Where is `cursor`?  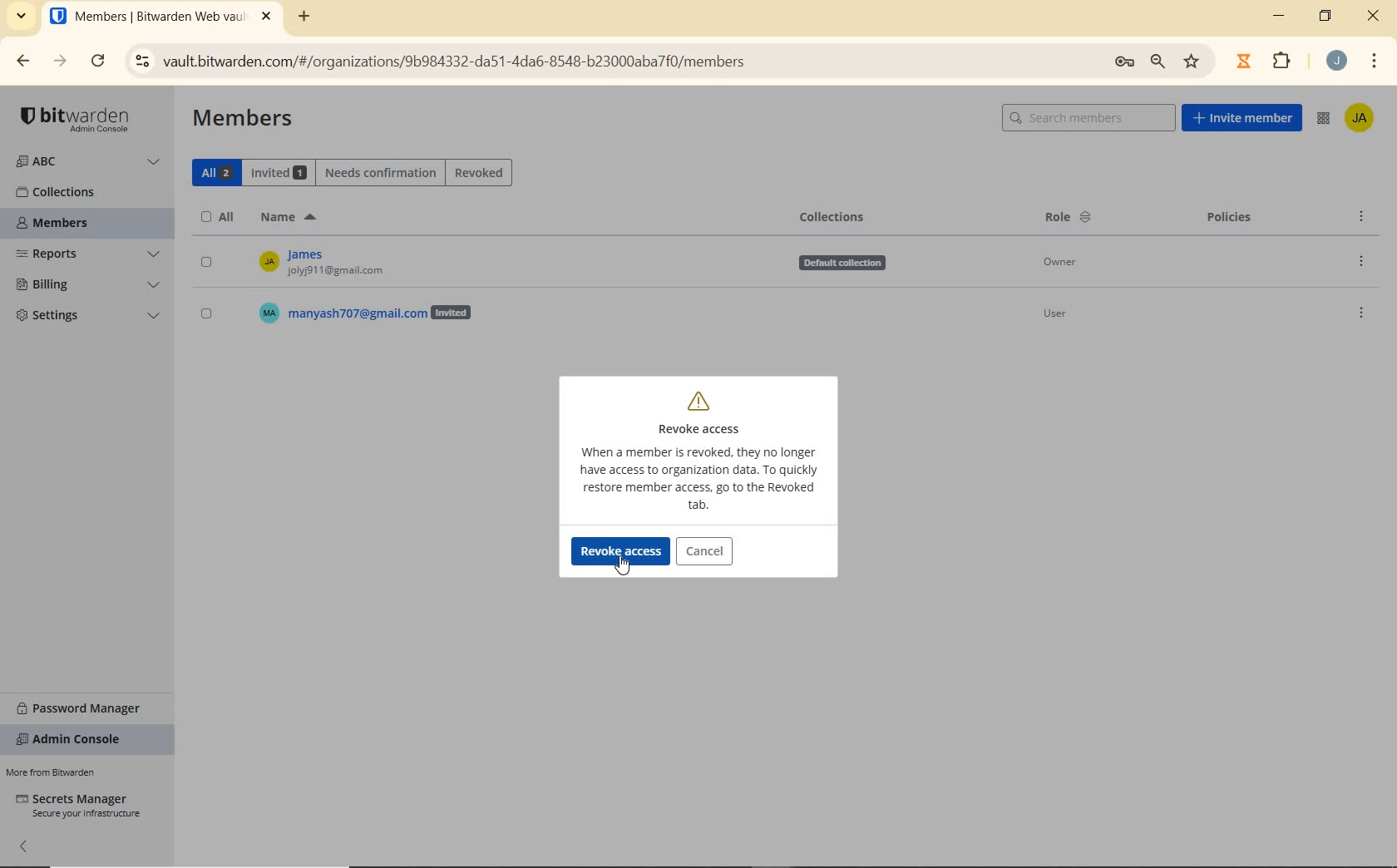
cursor is located at coordinates (621, 573).